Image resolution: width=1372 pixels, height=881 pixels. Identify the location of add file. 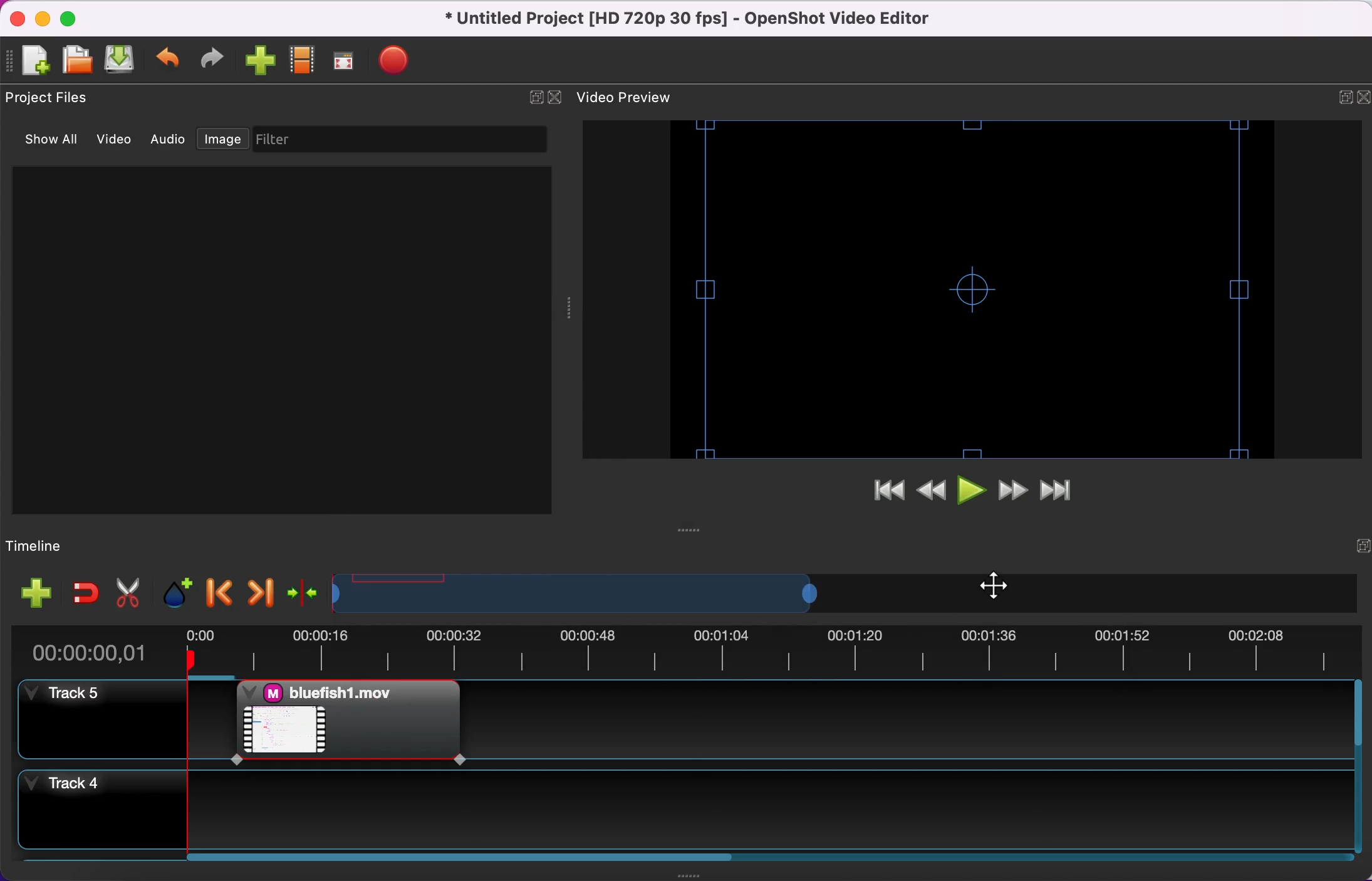
(33, 61).